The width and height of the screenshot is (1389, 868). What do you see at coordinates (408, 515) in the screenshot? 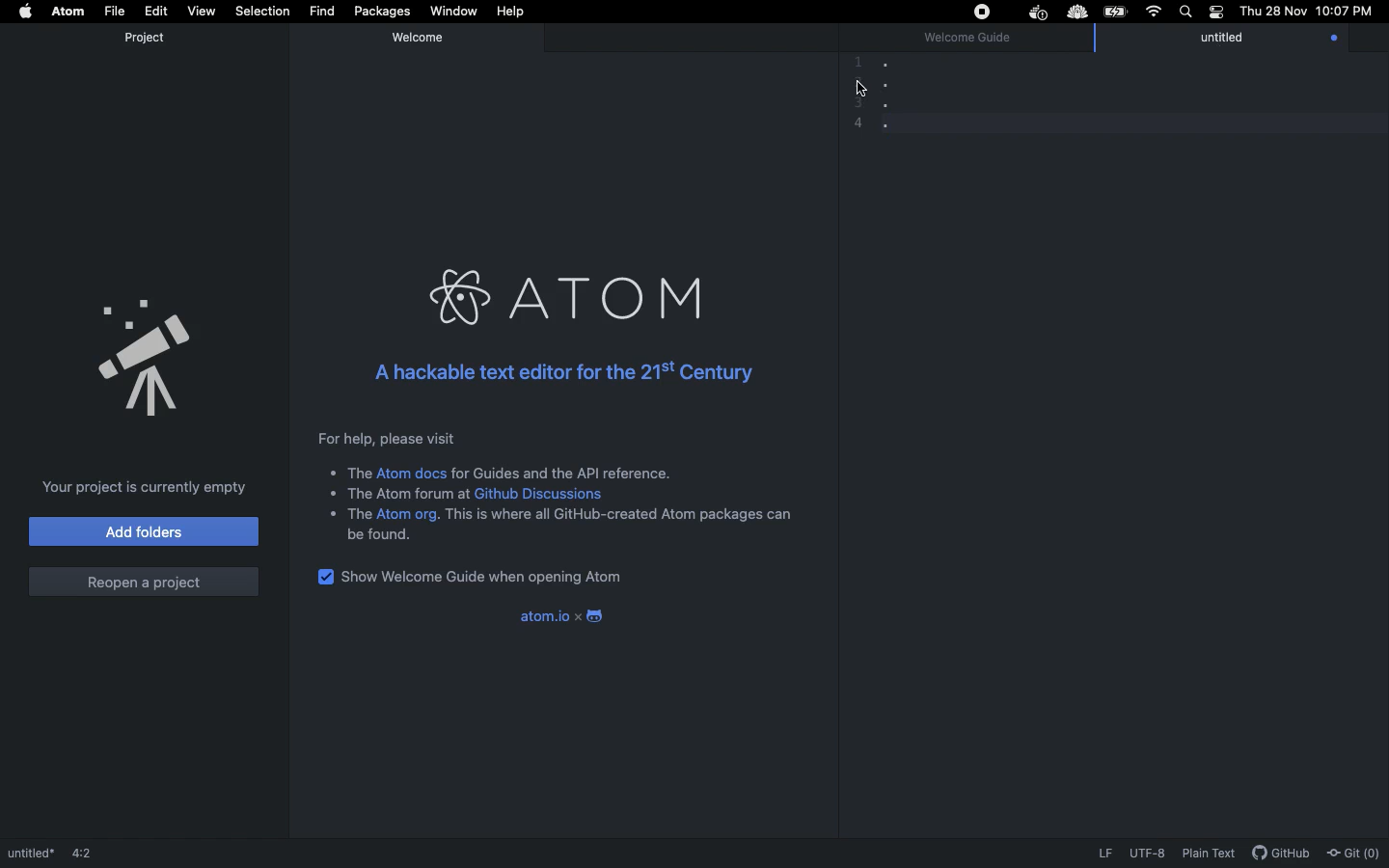
I see `Atom org` at bounding box center [408, 515].